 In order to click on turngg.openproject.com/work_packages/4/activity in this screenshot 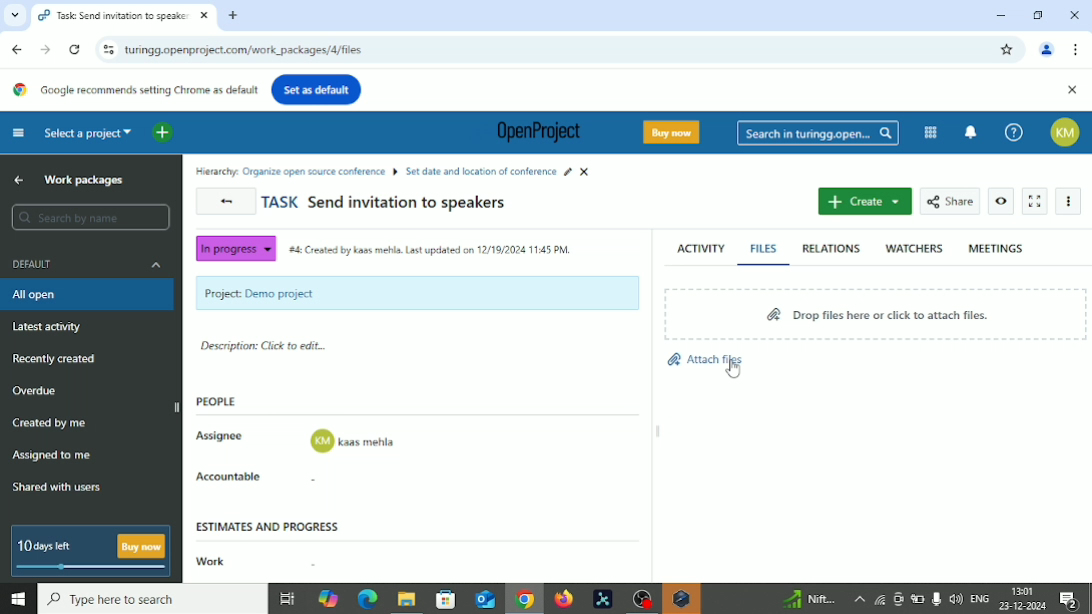, I will do `click(250, 51)`.